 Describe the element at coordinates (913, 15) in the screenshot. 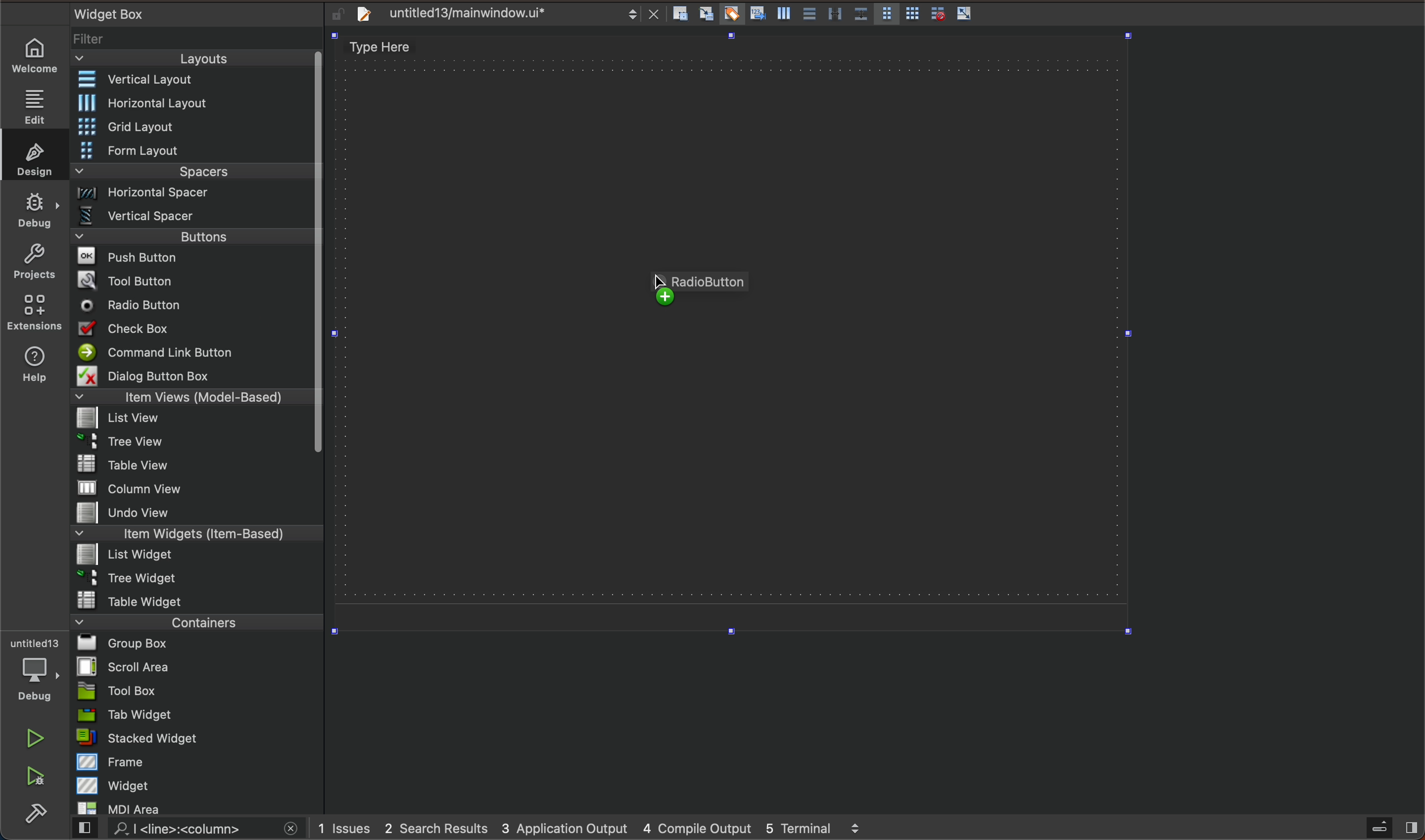

I see `` at that location.